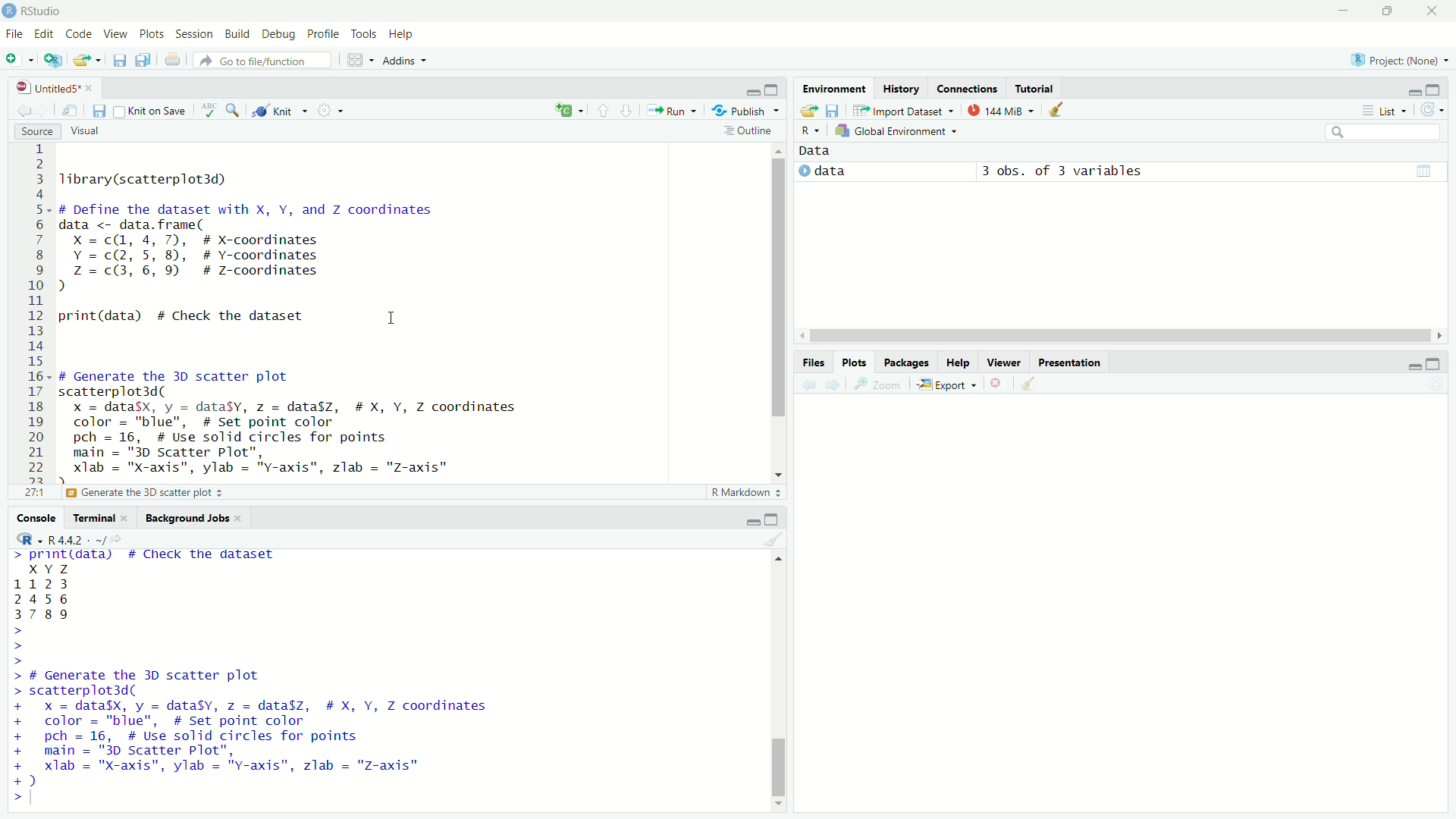 The width and height of the screenshot is (1456, 819). What do you see at coordinates (906, 361) in the screenshot?
I see `Packages` at bounding box center [906, 361].